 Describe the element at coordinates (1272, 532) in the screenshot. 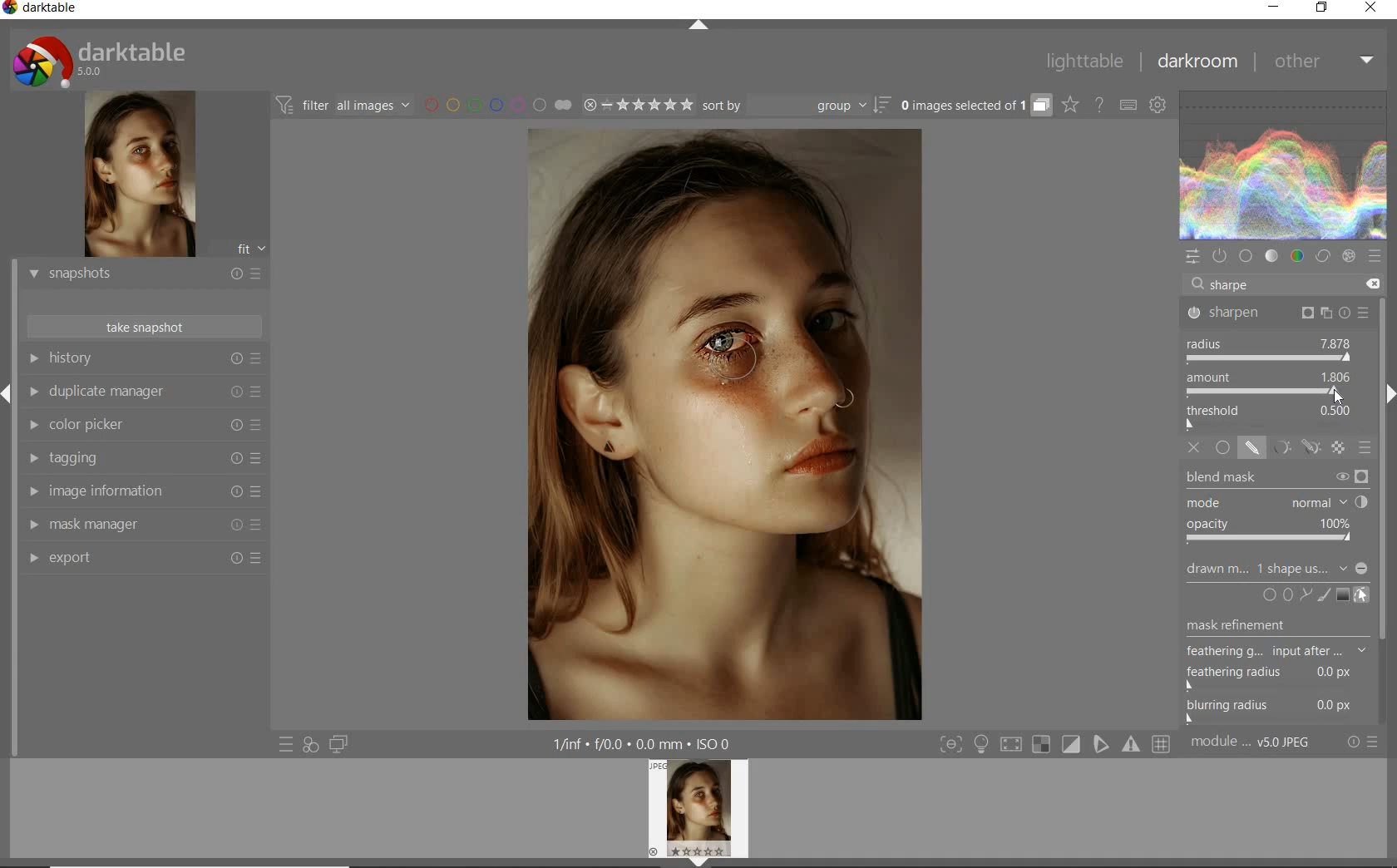

I see `OPACITY` at that location.